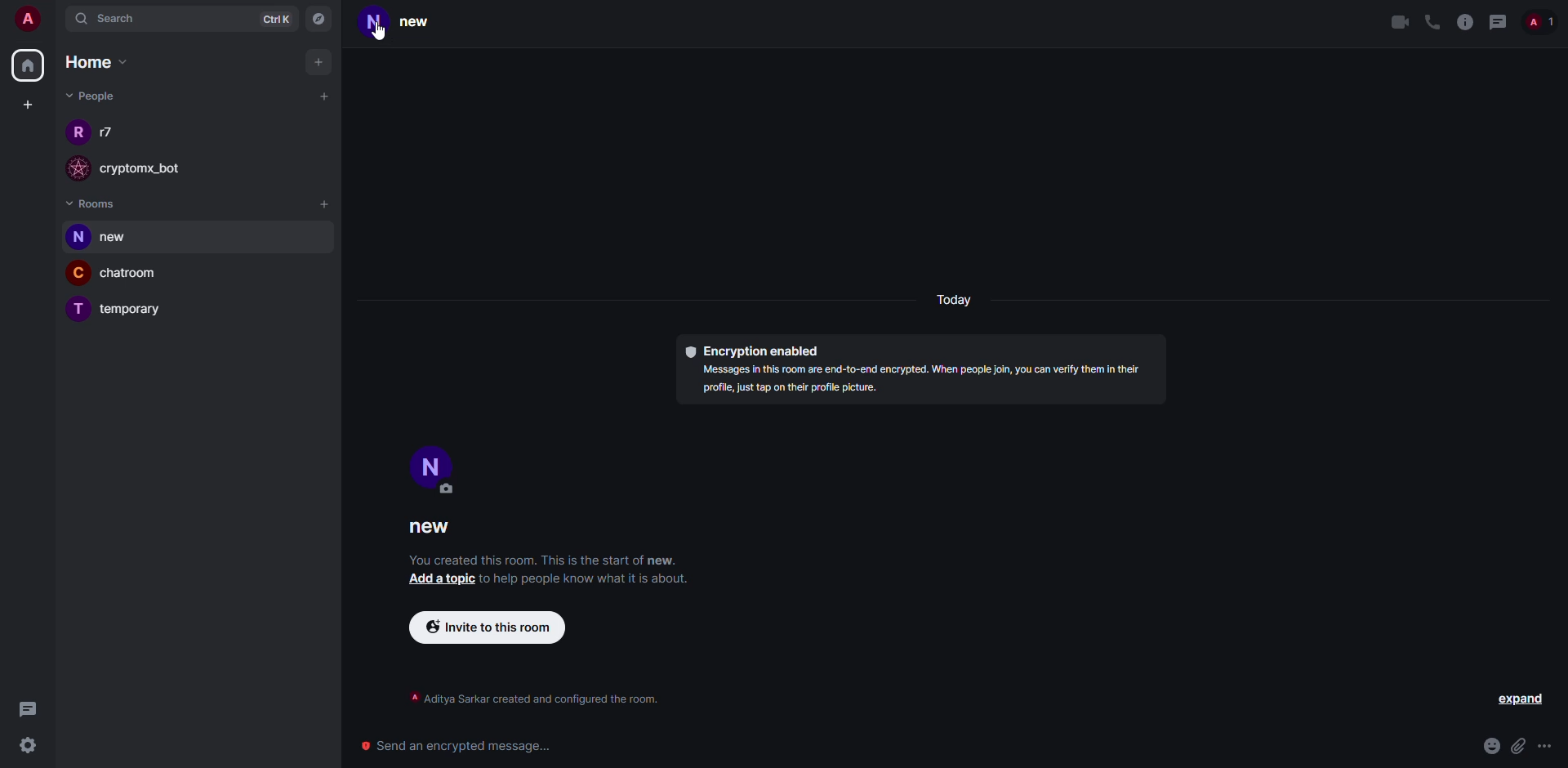  Describe the element at coordinates (33, 21) in the screenshot. I see `account` at that location.